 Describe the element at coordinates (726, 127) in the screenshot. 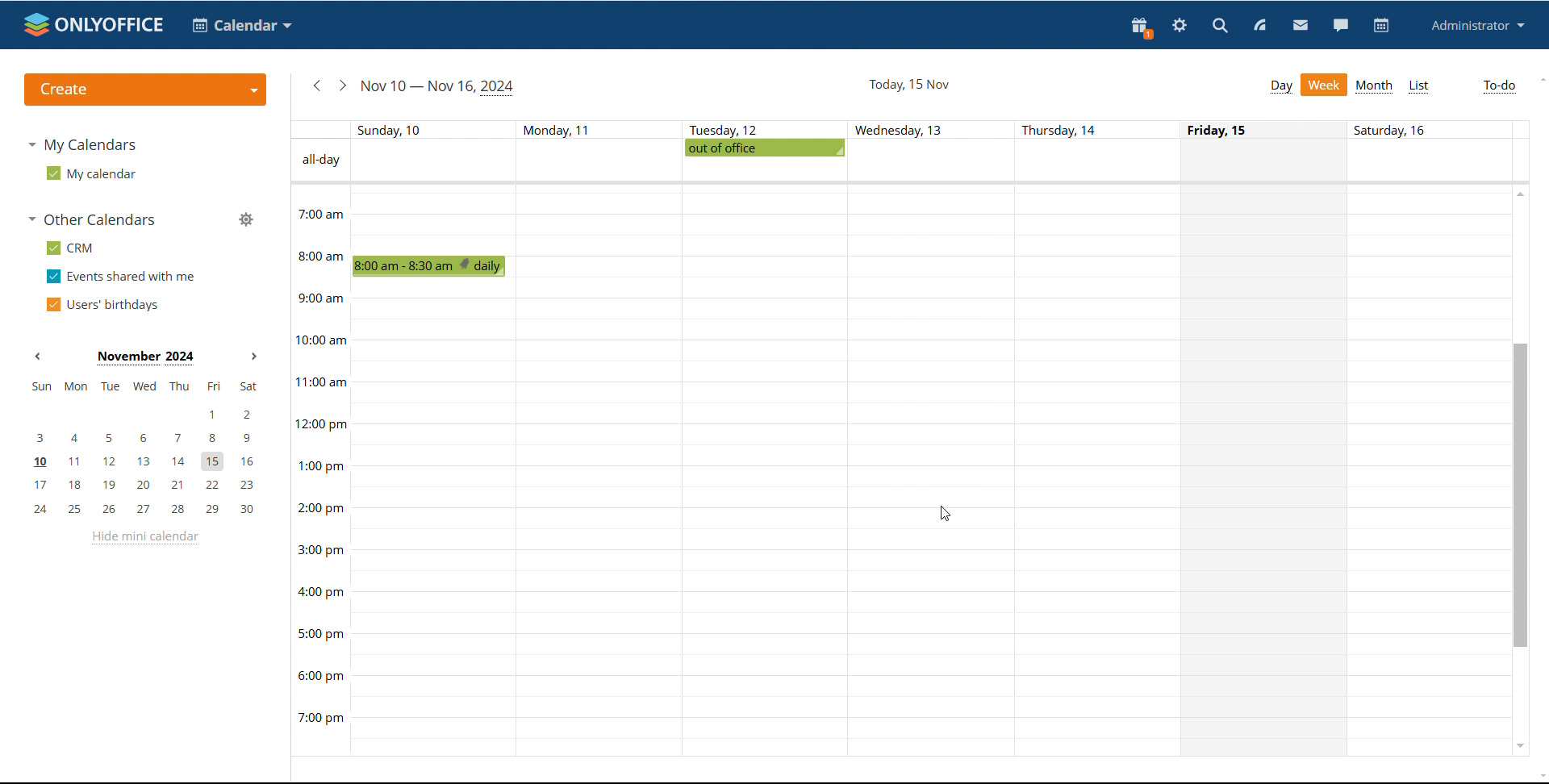

I see `text` at that location.